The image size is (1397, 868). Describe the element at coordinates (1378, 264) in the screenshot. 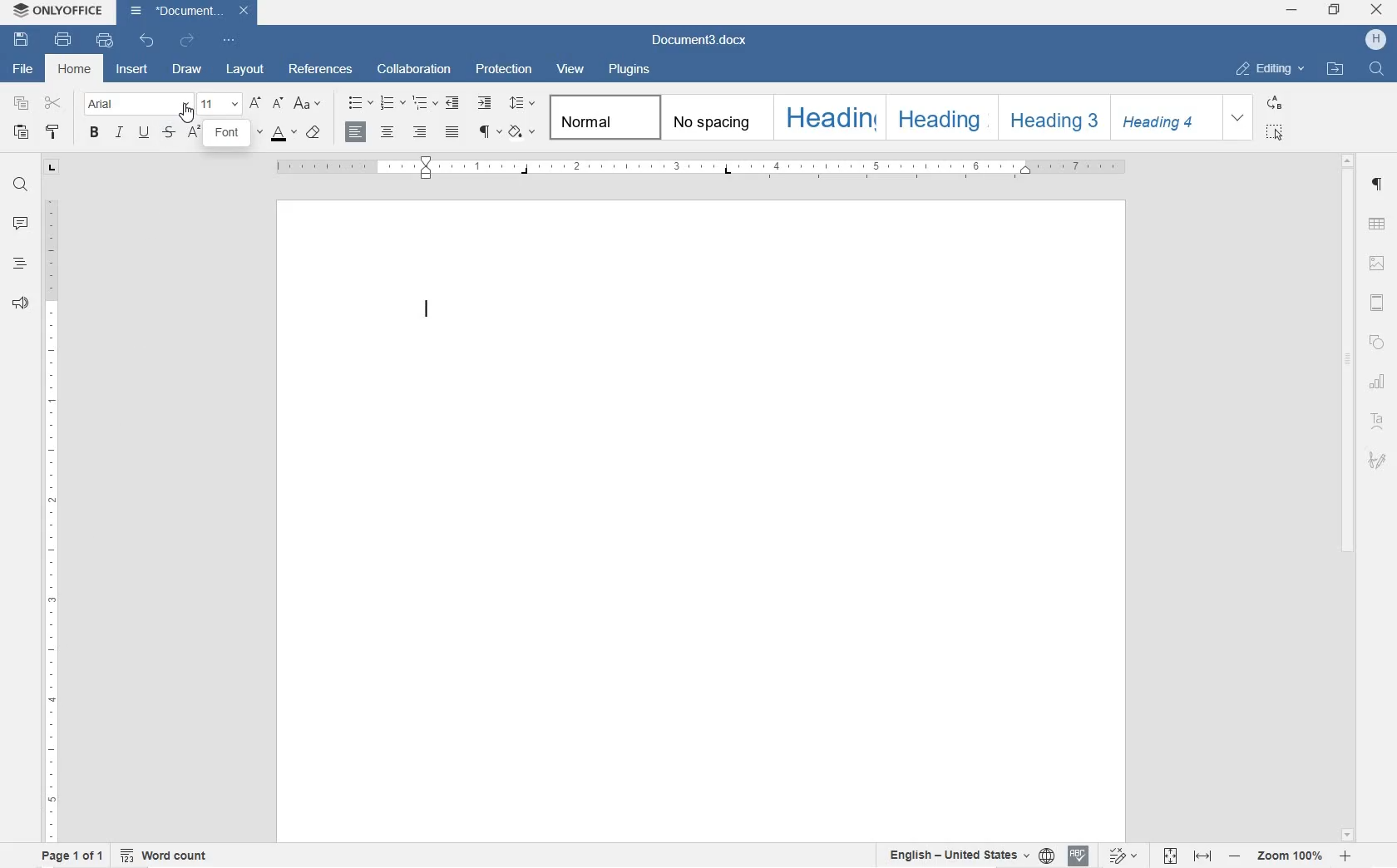

I see `IMAGE` at that location.